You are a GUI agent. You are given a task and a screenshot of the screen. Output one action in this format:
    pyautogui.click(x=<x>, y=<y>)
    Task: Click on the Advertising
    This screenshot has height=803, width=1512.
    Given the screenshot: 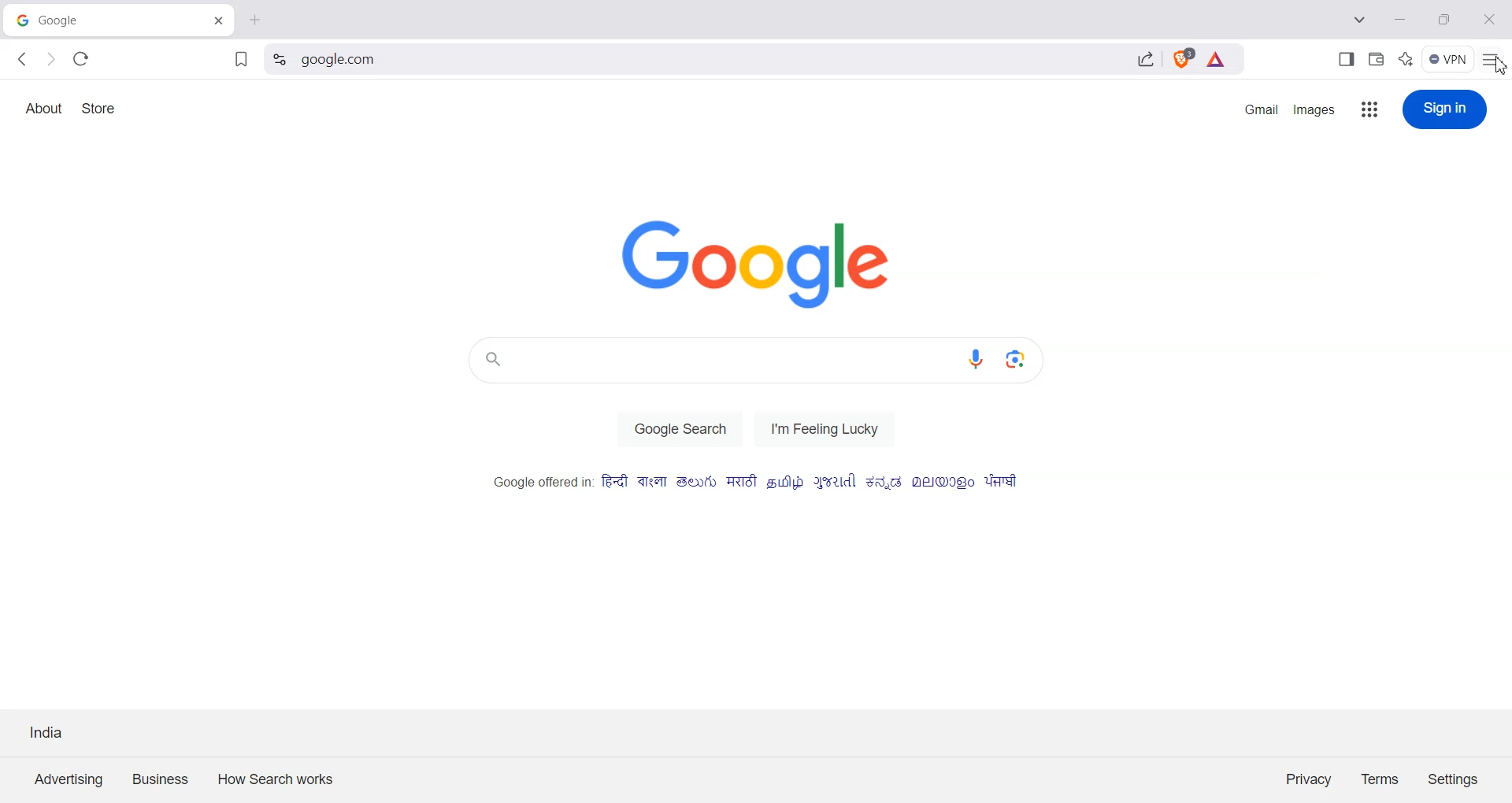 What is the action you would take?
    pyautogui.click(x=69, y=778)
    